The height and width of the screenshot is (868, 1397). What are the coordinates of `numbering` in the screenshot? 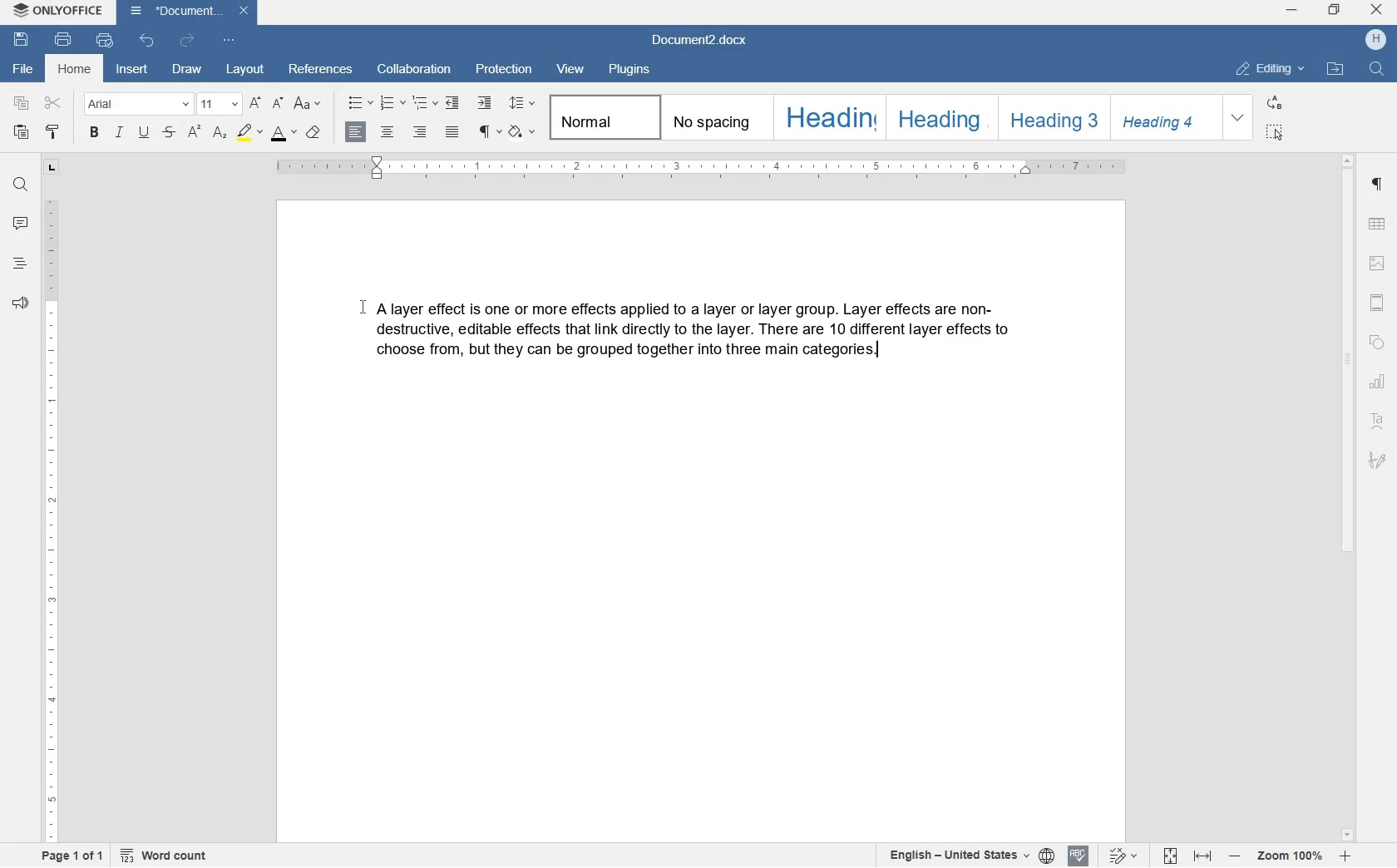 It's located at (390, 103).